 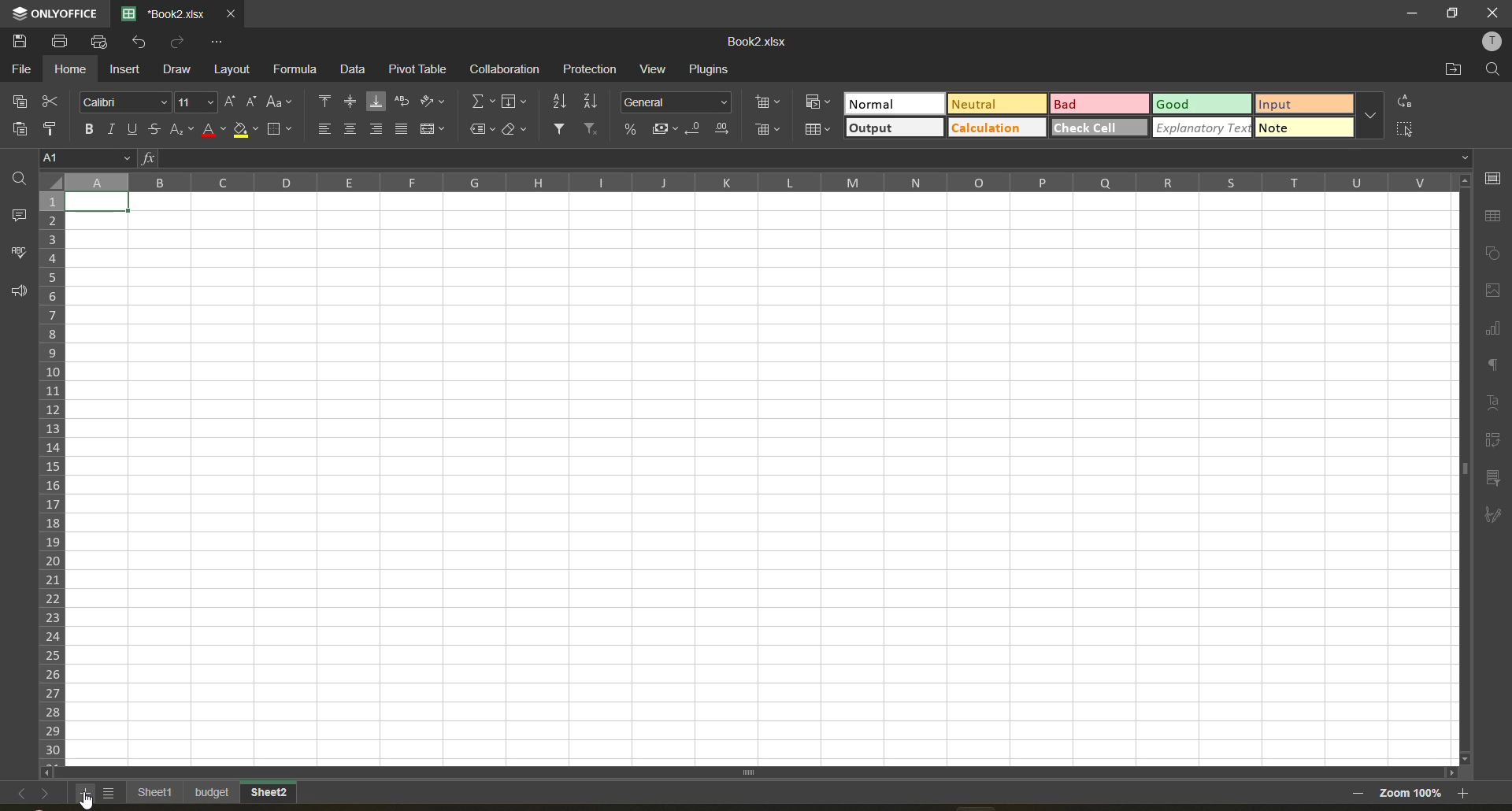 I want to click on signature, so click(x=1496, y=517).